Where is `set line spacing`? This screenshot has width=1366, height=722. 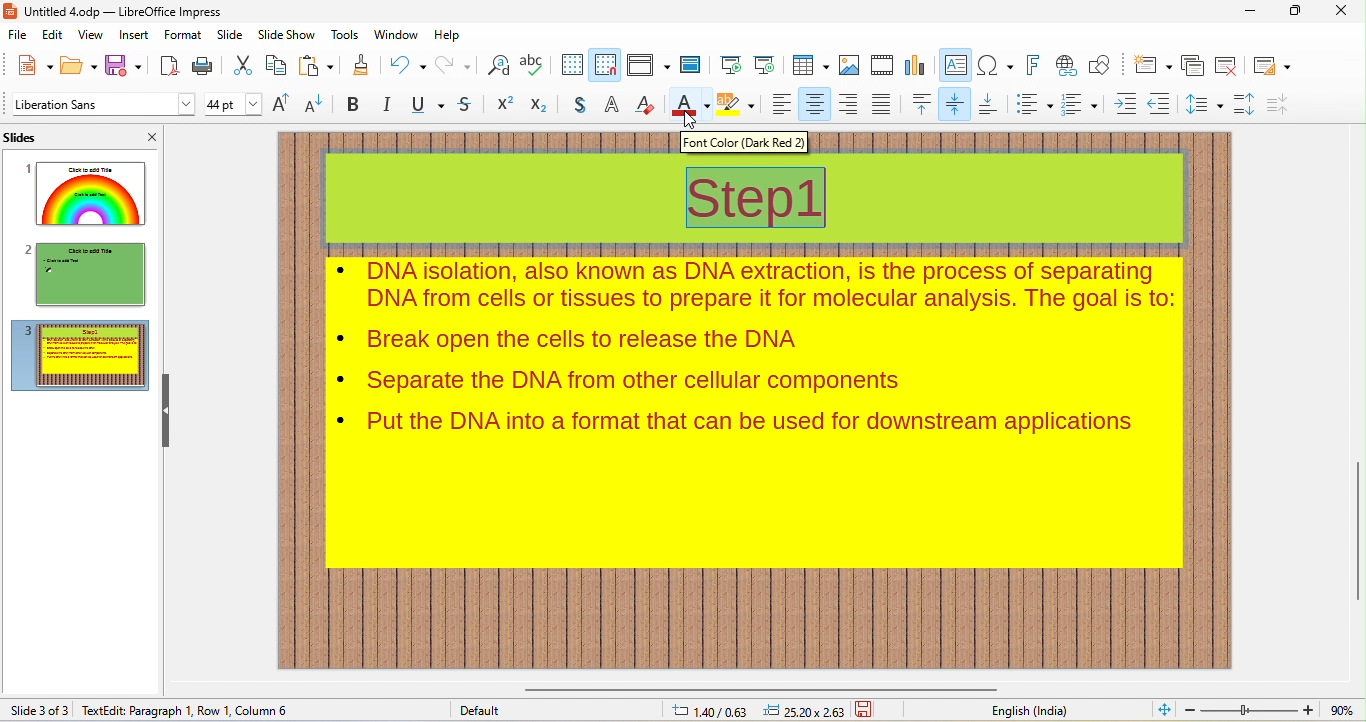
set line spacing is located at coordinates (1206, 104).